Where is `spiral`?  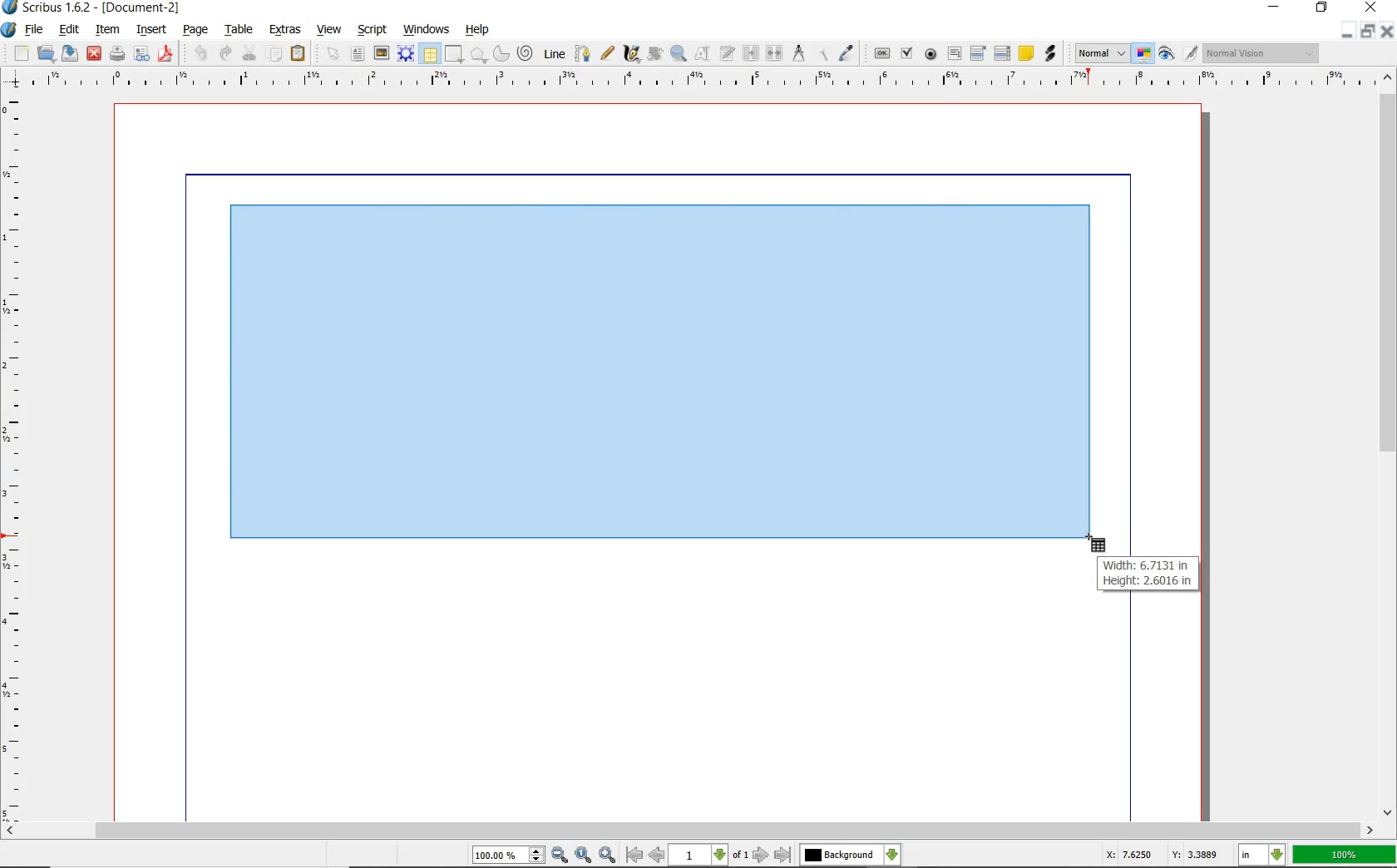 spiral is located at coordinates (526, 54).